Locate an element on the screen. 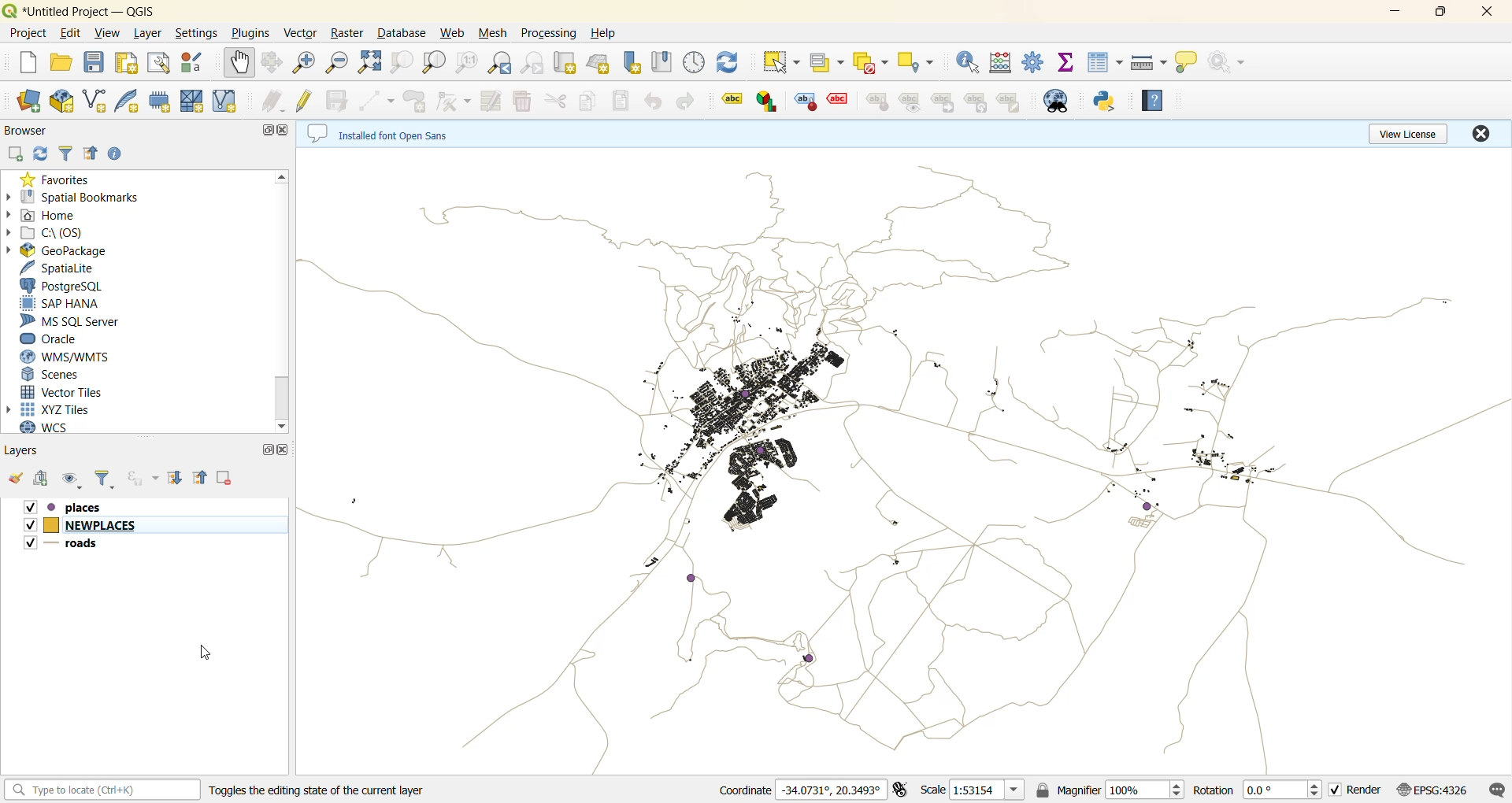  view is located at coordinates (109, 35).